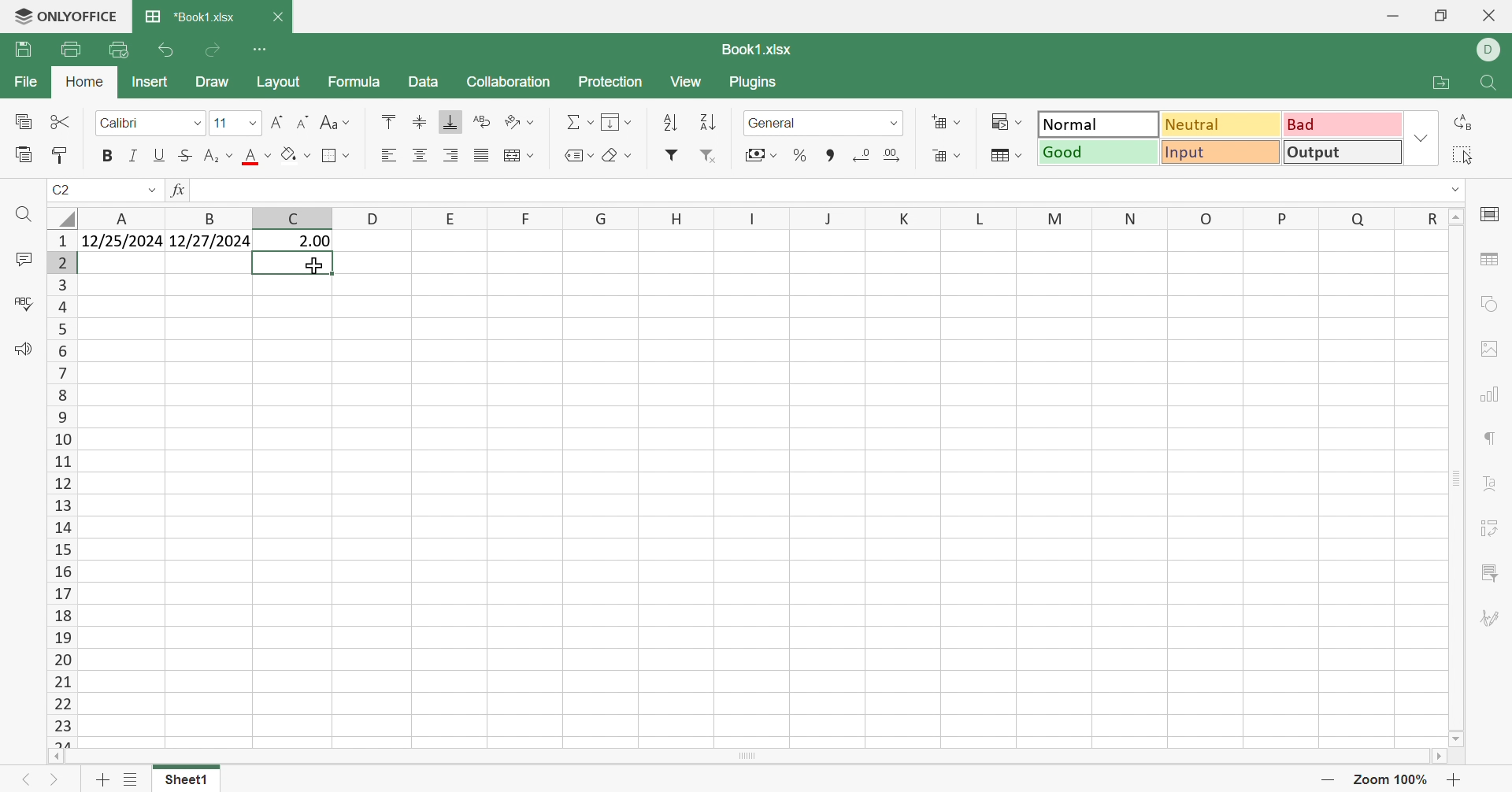 The height and width of the screenshot is (792, 1512). I want to click on Increment font size, so click(276, 121).